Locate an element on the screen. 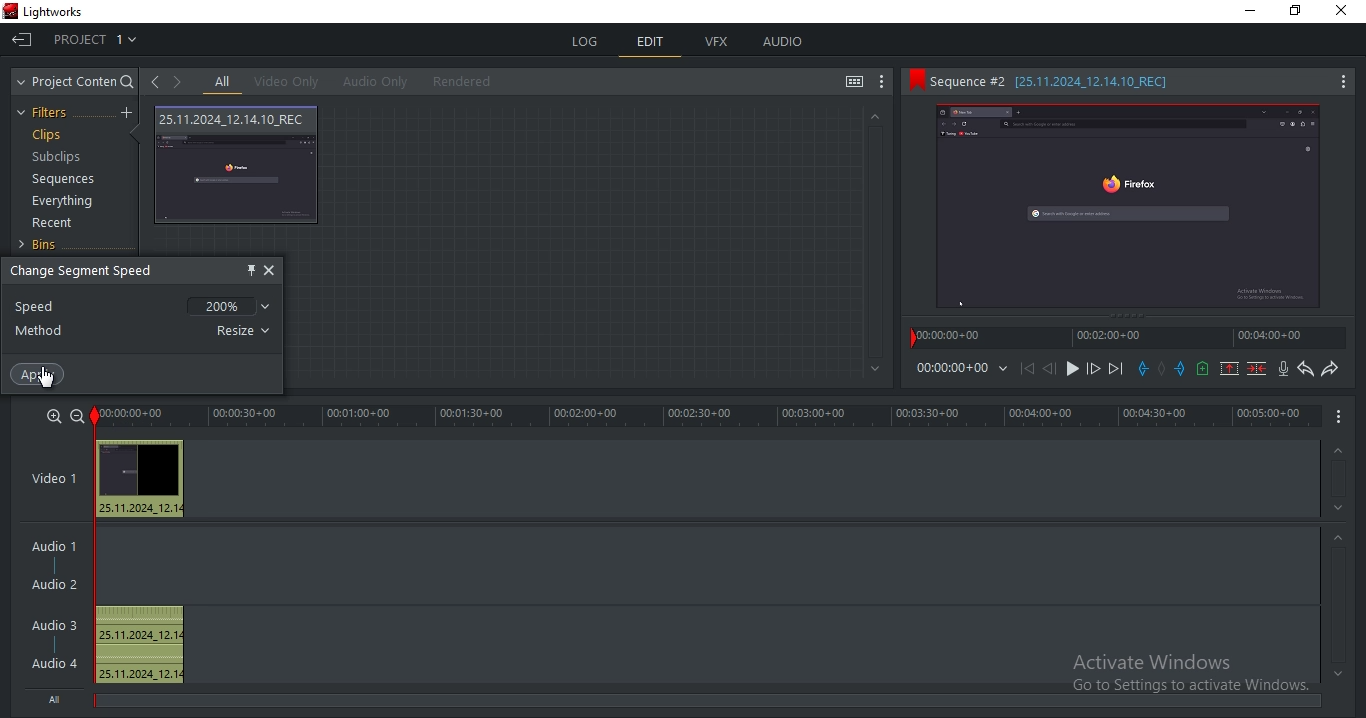 Image resolution: width=1366 pixels, height=718 pixels. video only is located at coordinates (292, 82).